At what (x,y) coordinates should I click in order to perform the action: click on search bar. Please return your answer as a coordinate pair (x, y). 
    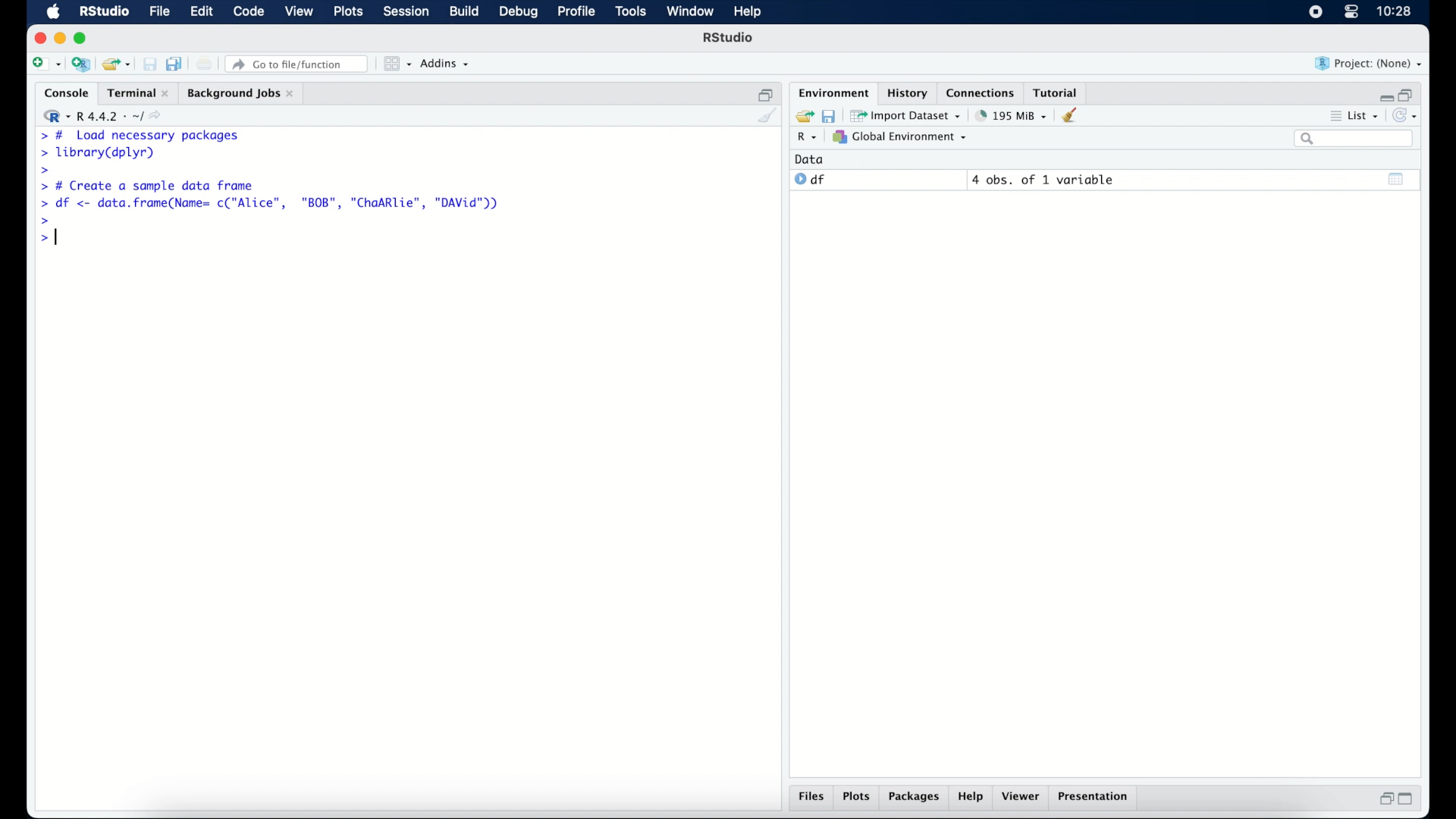
    Looking at the image, I should click on (1353, 140).